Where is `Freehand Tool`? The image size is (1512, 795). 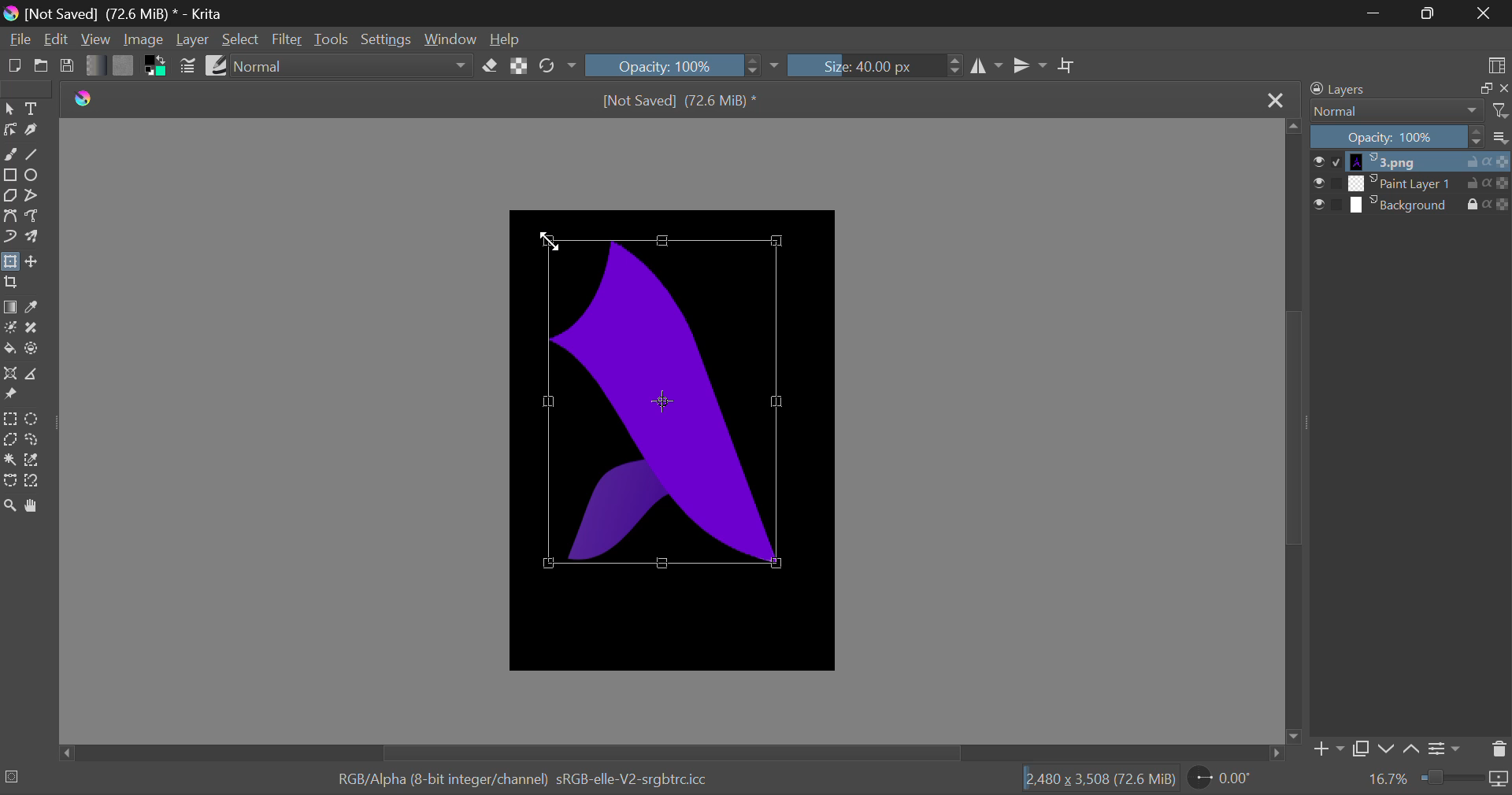 Freehand Tool is located at coordinates (30, 441).